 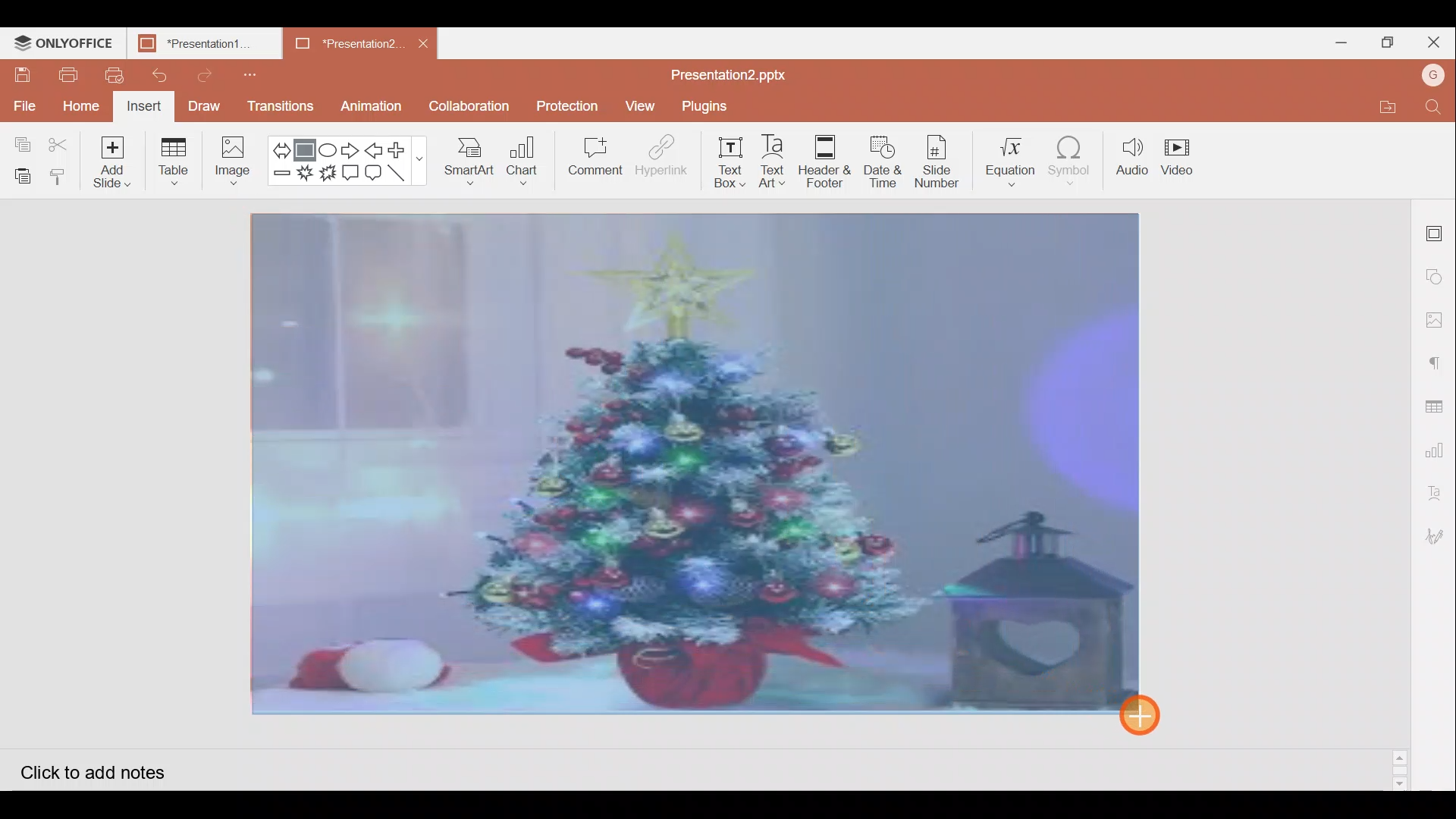 What do you see at coordinates (374, 149) in the screenshot?
I see `Left arrow` at bounding box center [374, 149].